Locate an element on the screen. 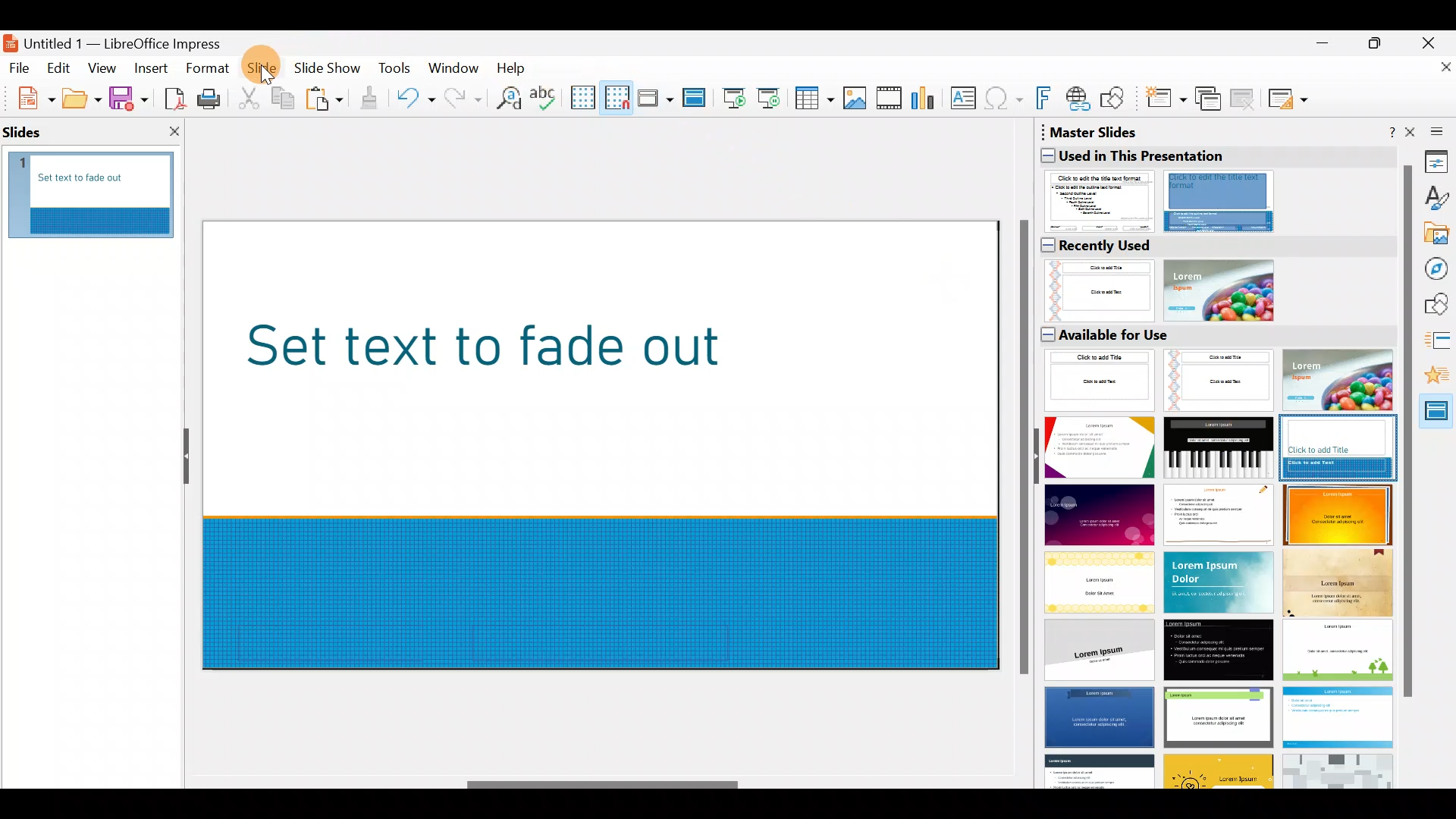 This screenshot has width=1456, height=819. Redo is located at coordinates (461, 98).